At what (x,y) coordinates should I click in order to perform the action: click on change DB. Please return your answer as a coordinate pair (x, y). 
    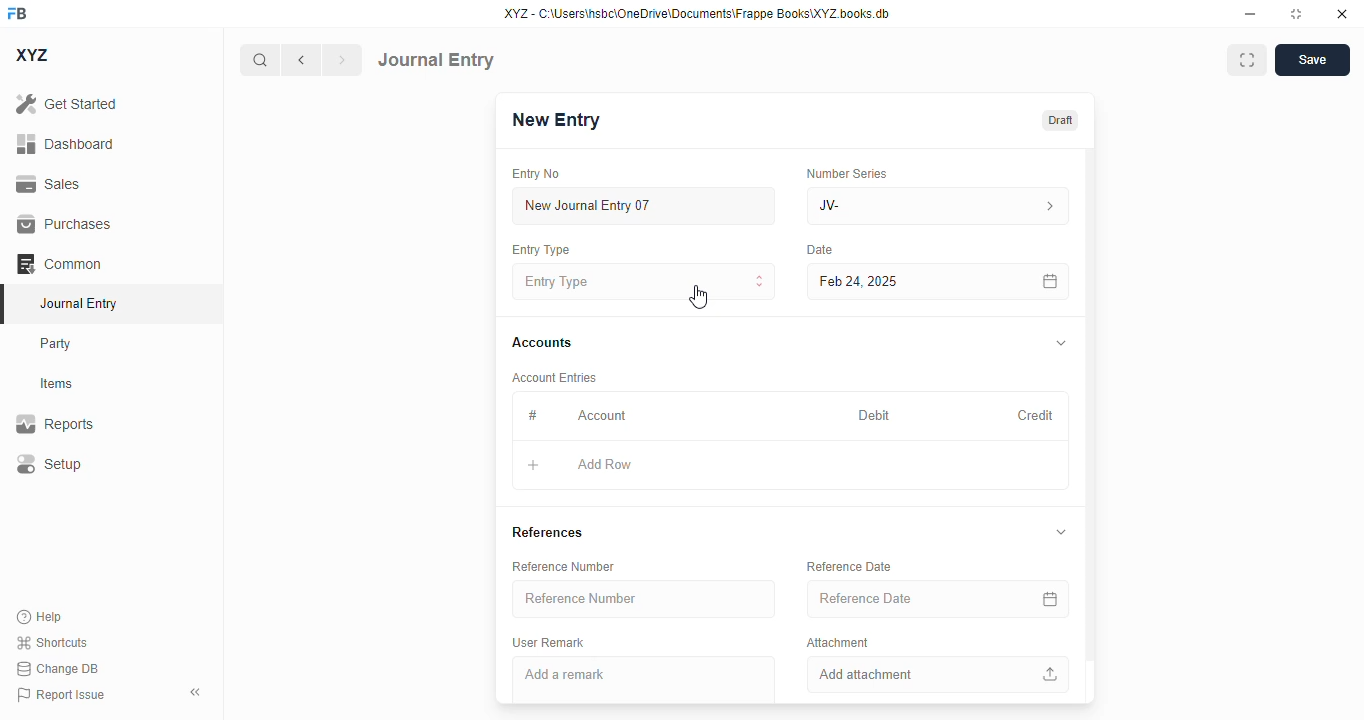
    Looking at the image, I should click on (57, 668).